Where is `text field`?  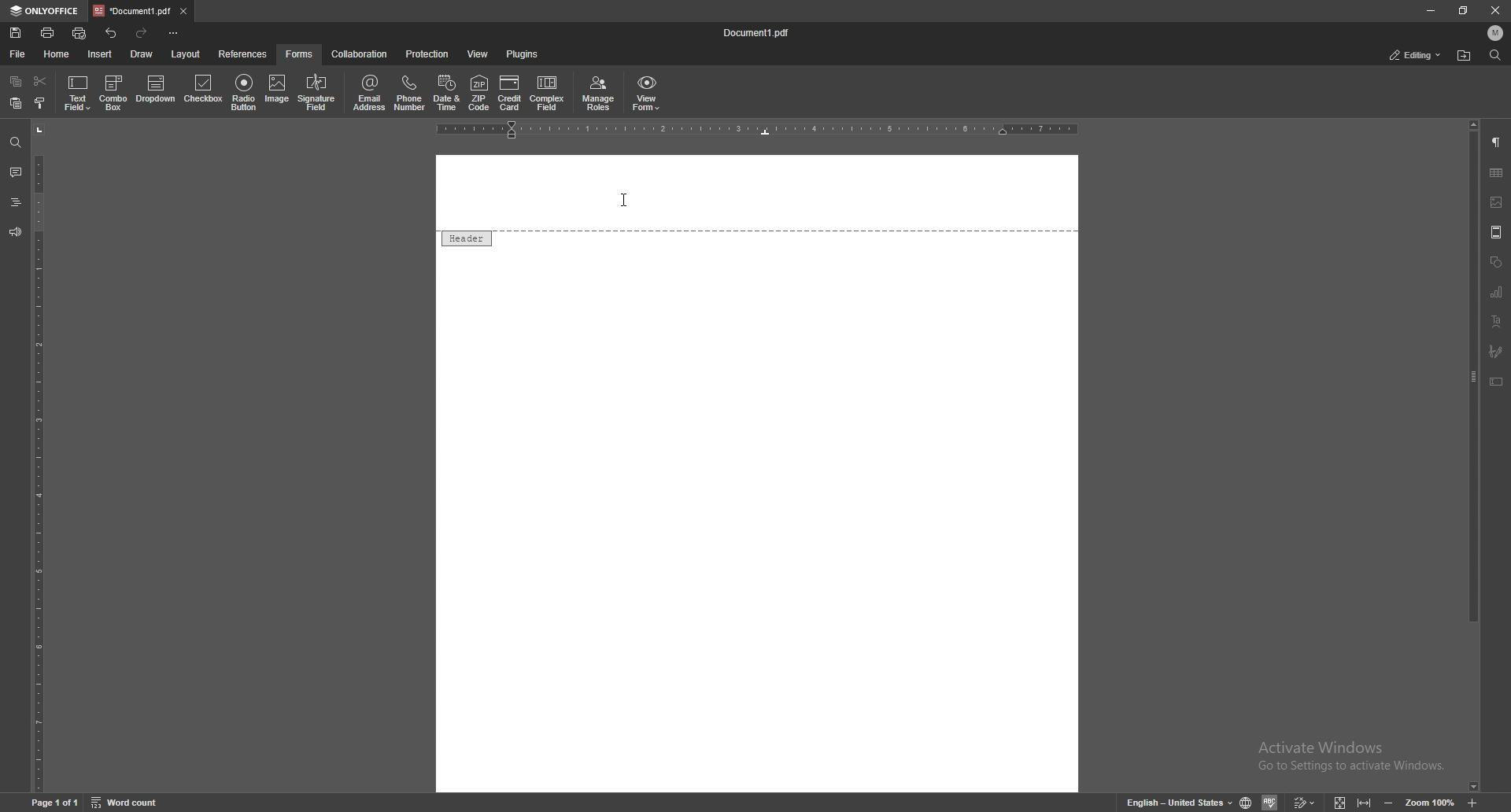
text field is located at coordinates (79, 92).